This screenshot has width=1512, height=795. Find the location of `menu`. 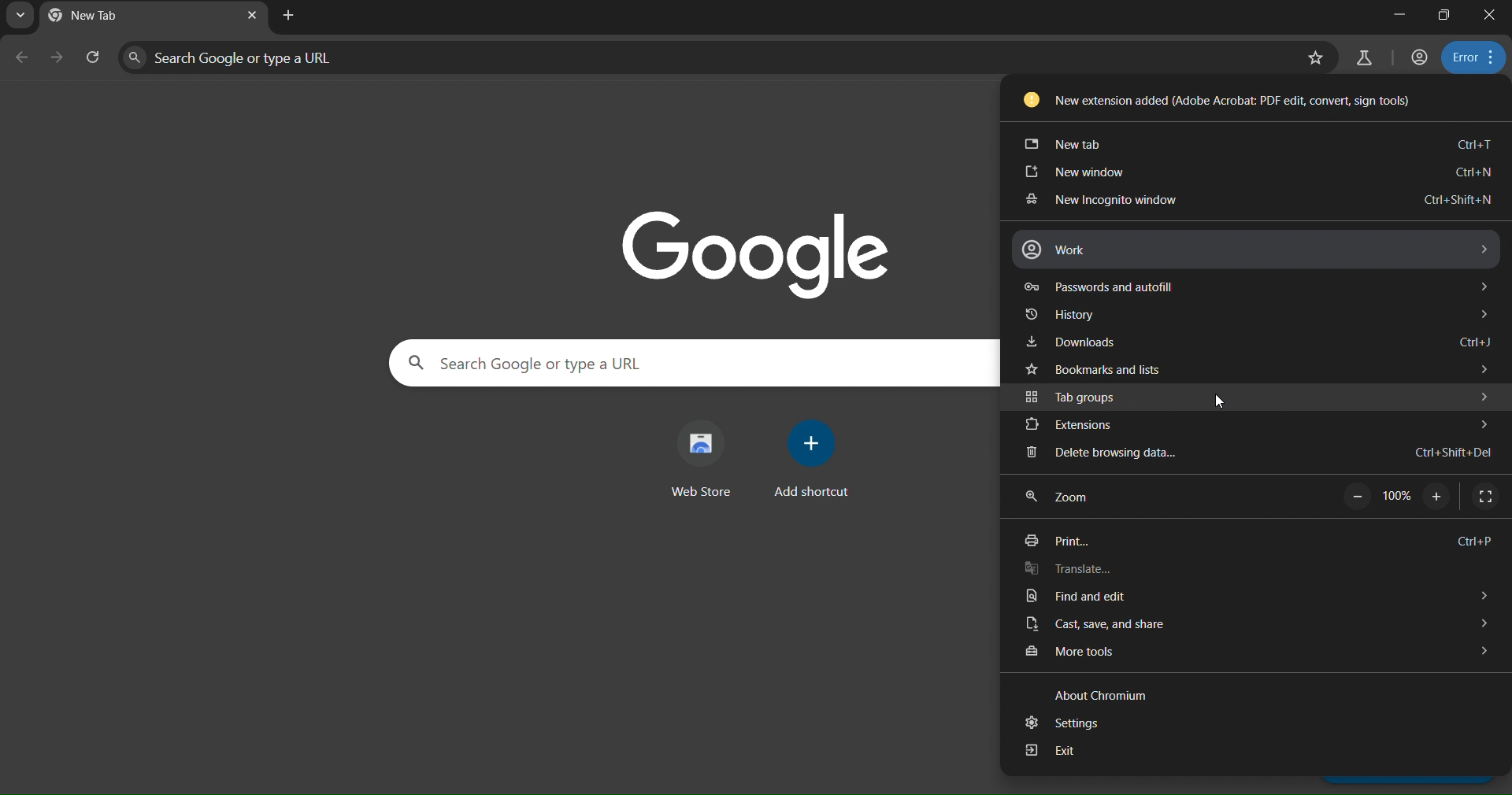

menu is located at coordinates (1471, 57).